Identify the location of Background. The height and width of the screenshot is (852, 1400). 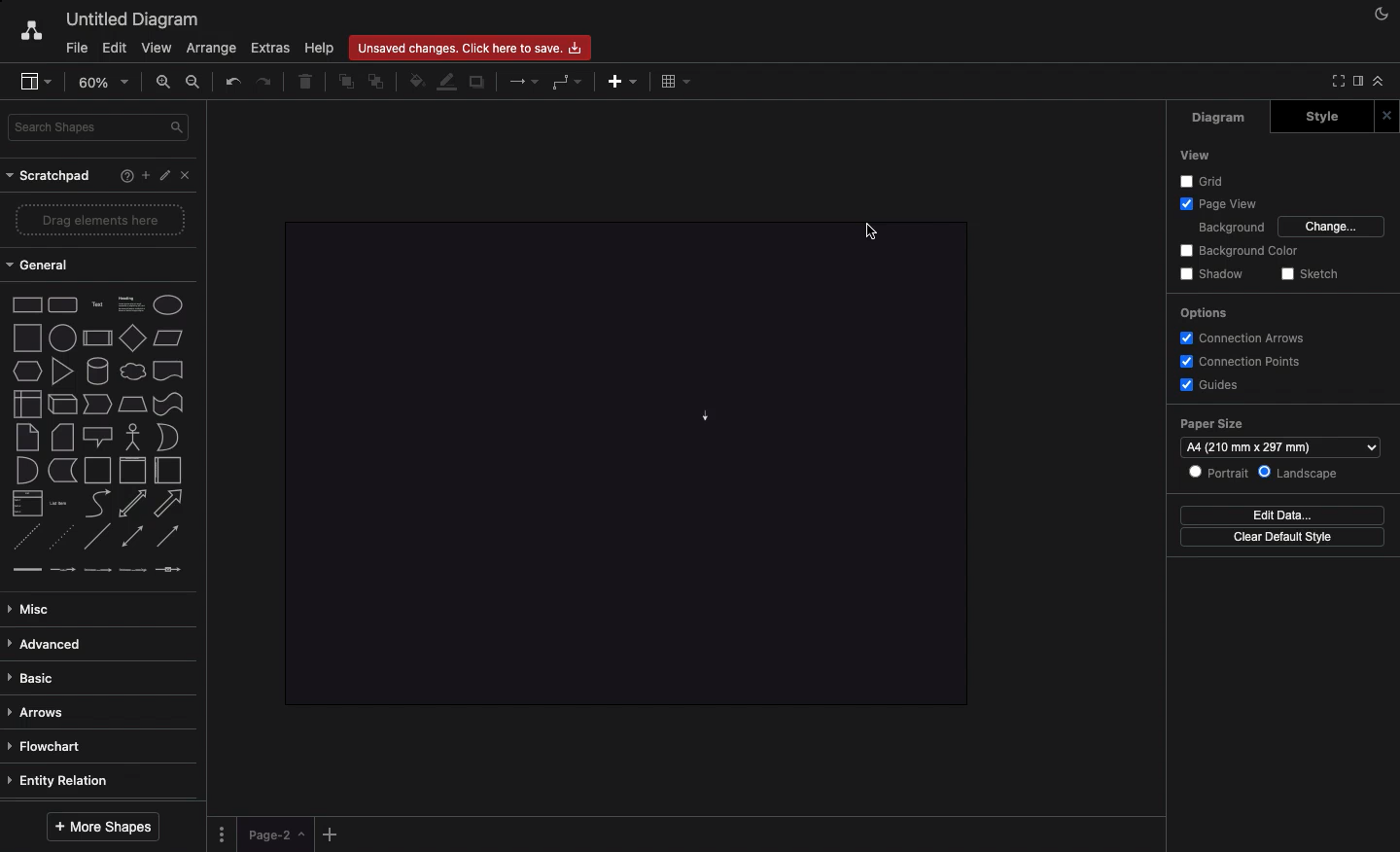
(1230, 226).